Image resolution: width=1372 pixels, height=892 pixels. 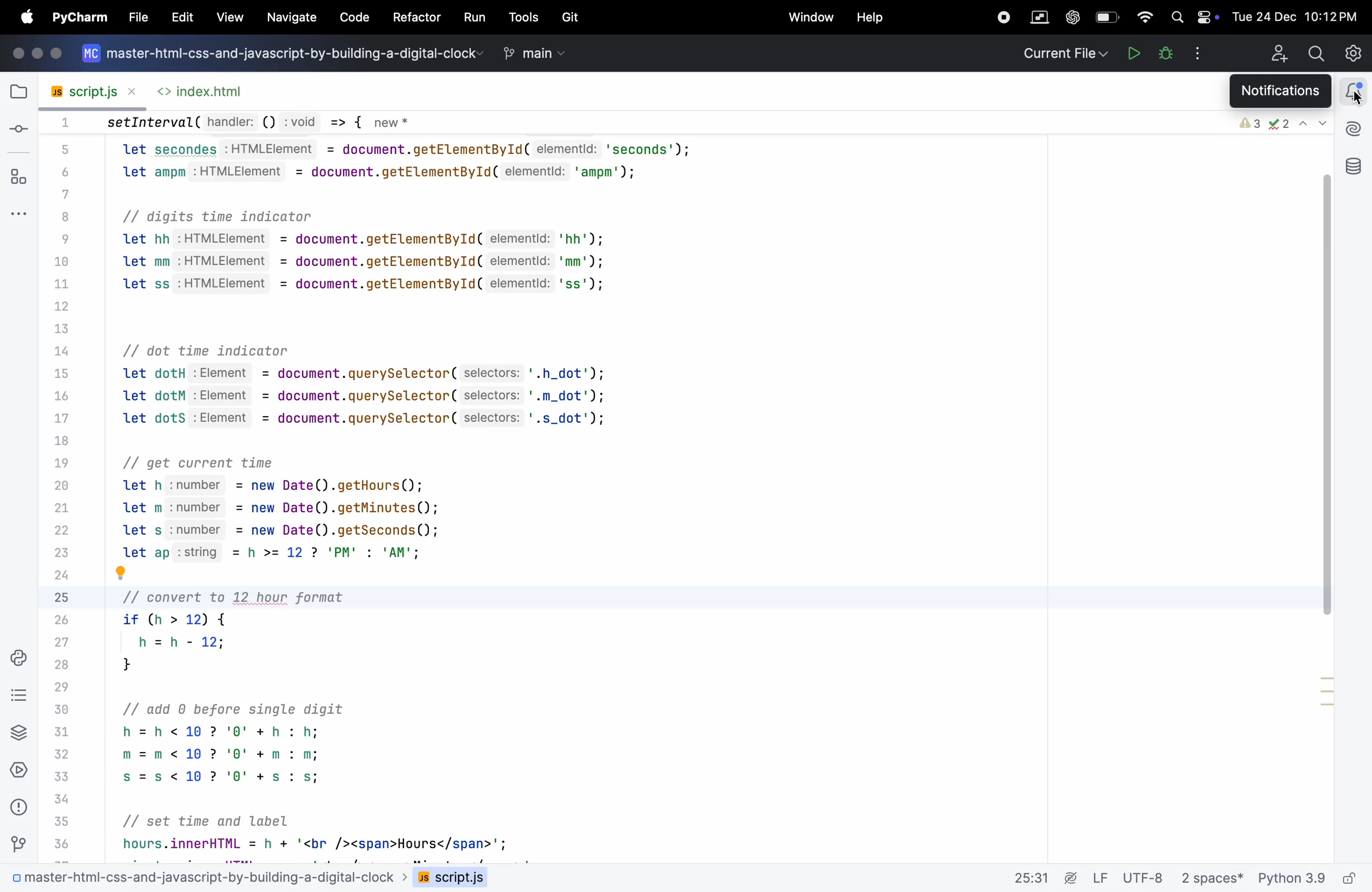 What do you see at coordinates (455, 875) in the screenshot?
I see `script .js` at bounding box center [455, 875].